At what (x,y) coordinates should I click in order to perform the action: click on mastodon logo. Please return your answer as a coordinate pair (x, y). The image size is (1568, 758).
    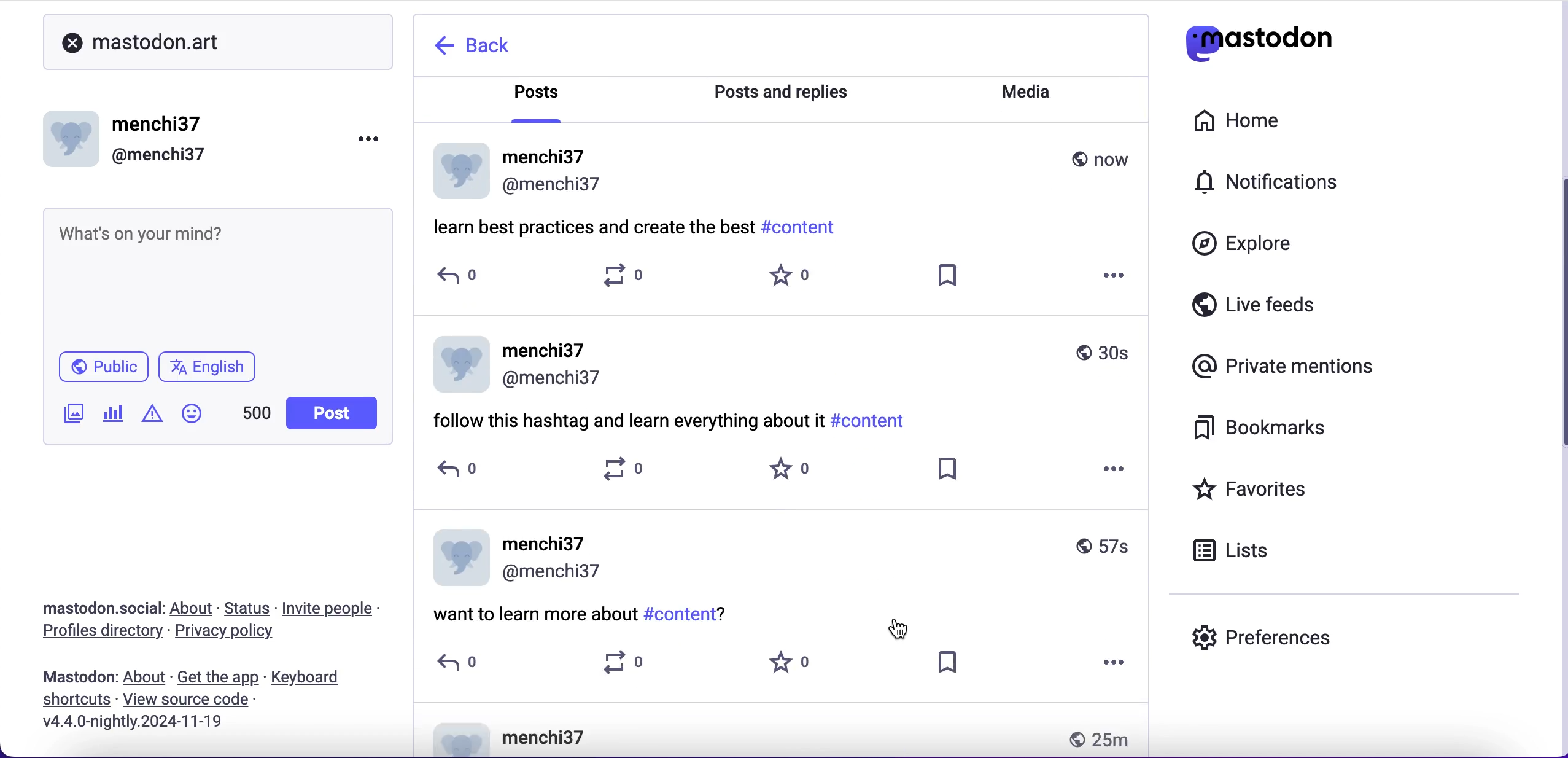
    Looking at the image, I should click on (1282, 44).